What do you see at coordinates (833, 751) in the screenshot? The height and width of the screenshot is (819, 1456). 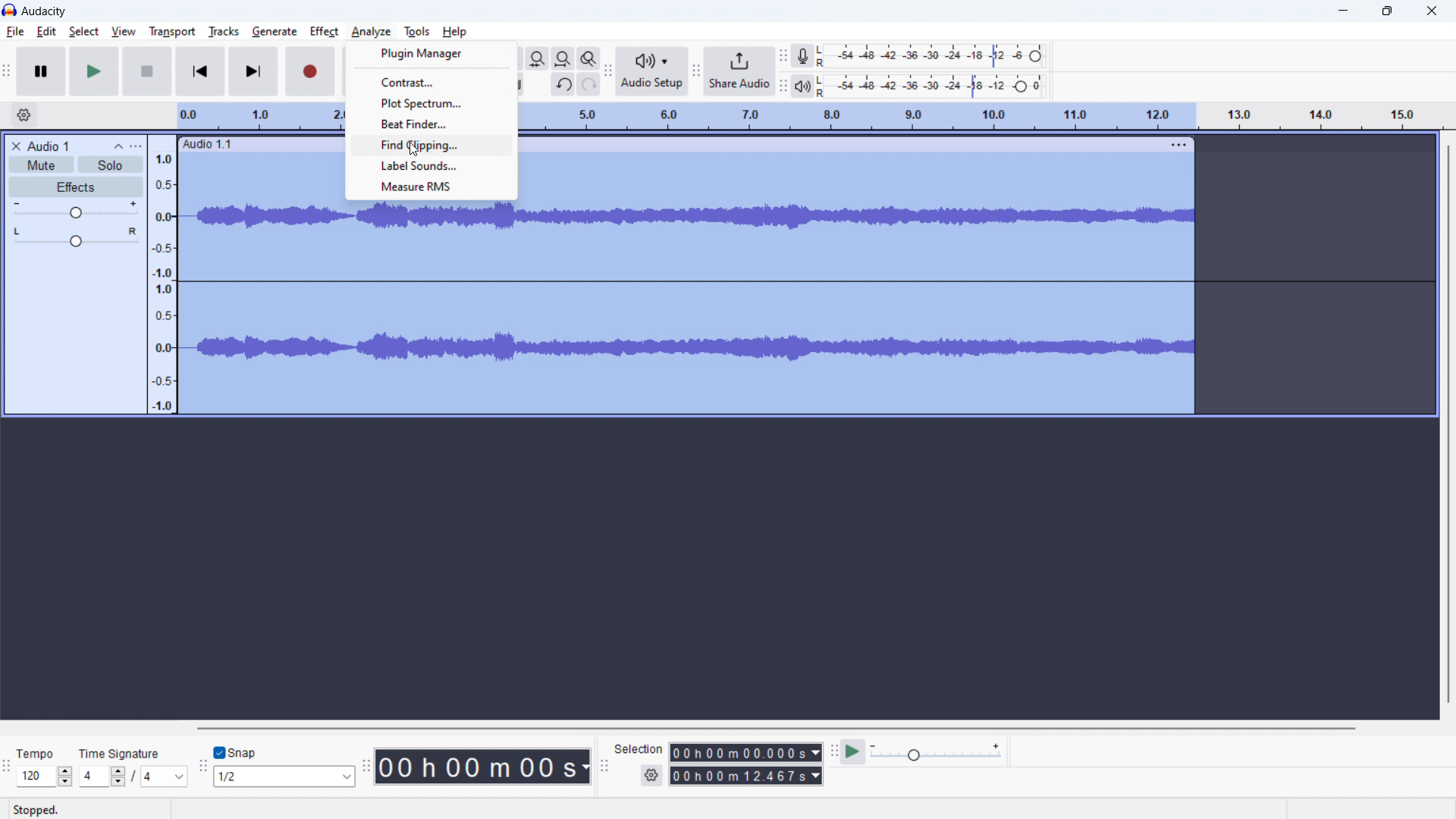 I see `play at speed toolbar` at bounding box center [833, 751].